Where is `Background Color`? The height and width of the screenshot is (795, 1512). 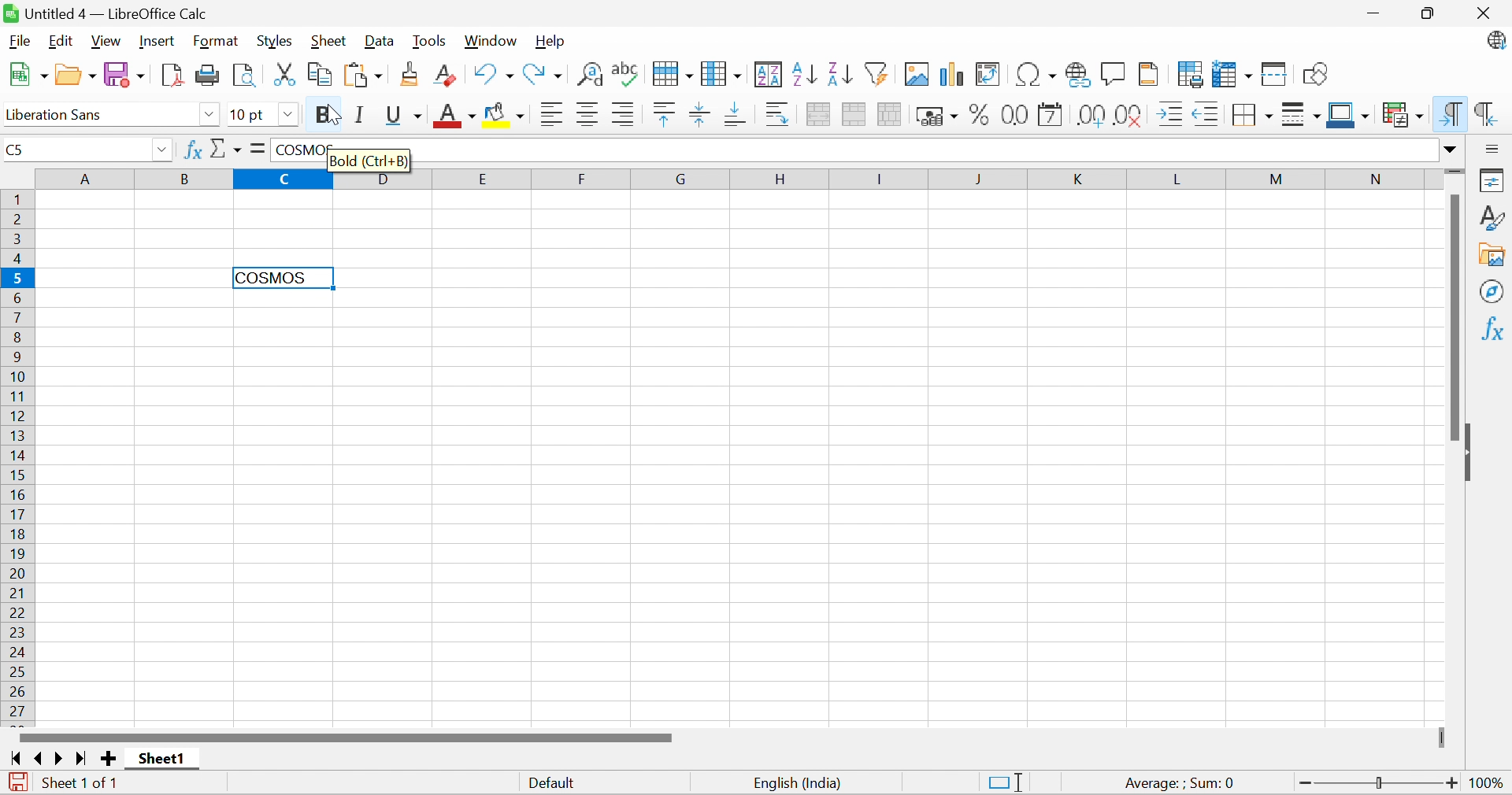
Background Color is located at coordinates (504, 115).